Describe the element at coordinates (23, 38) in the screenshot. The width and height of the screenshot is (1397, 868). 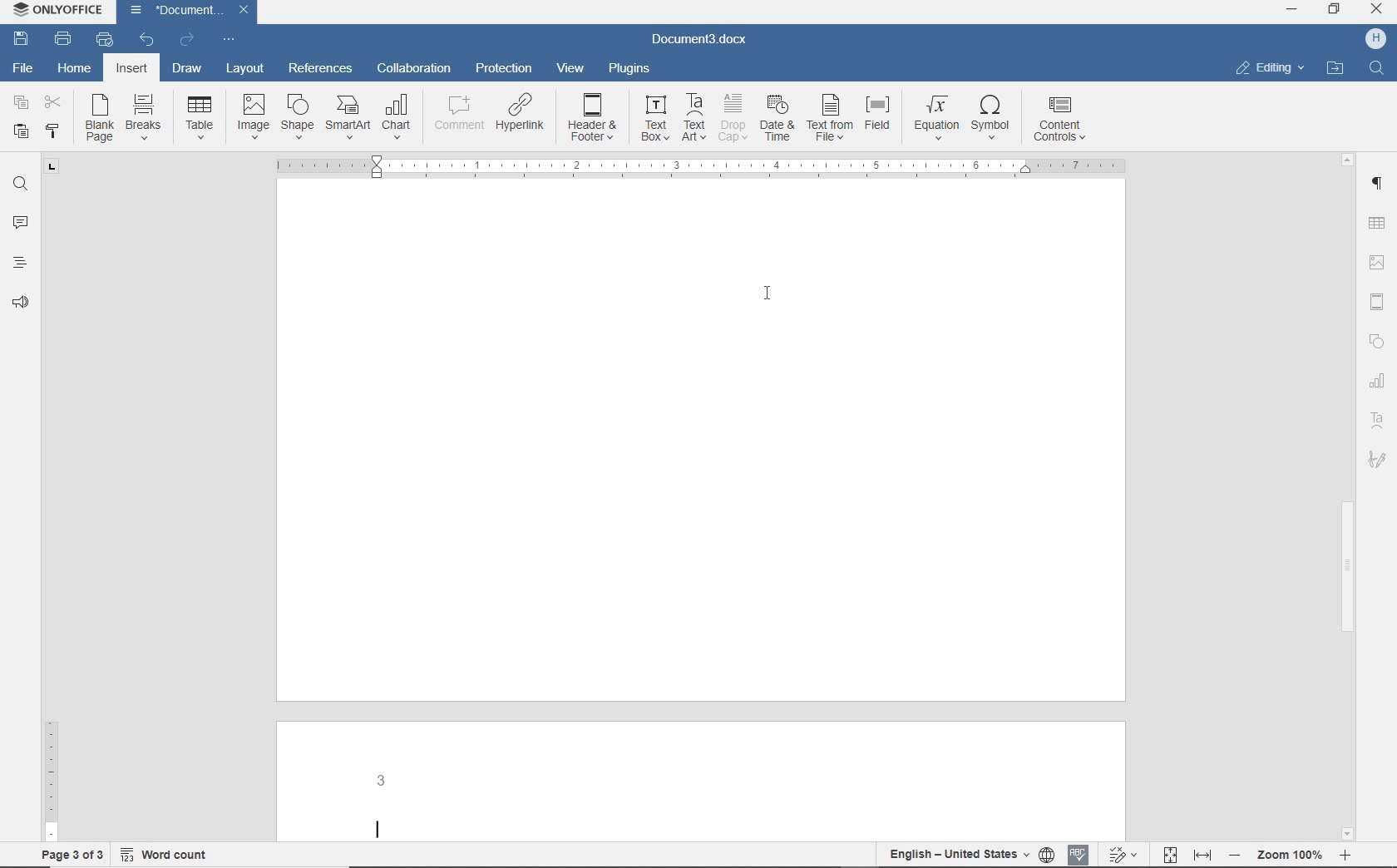
I see `SAVE` at that location.